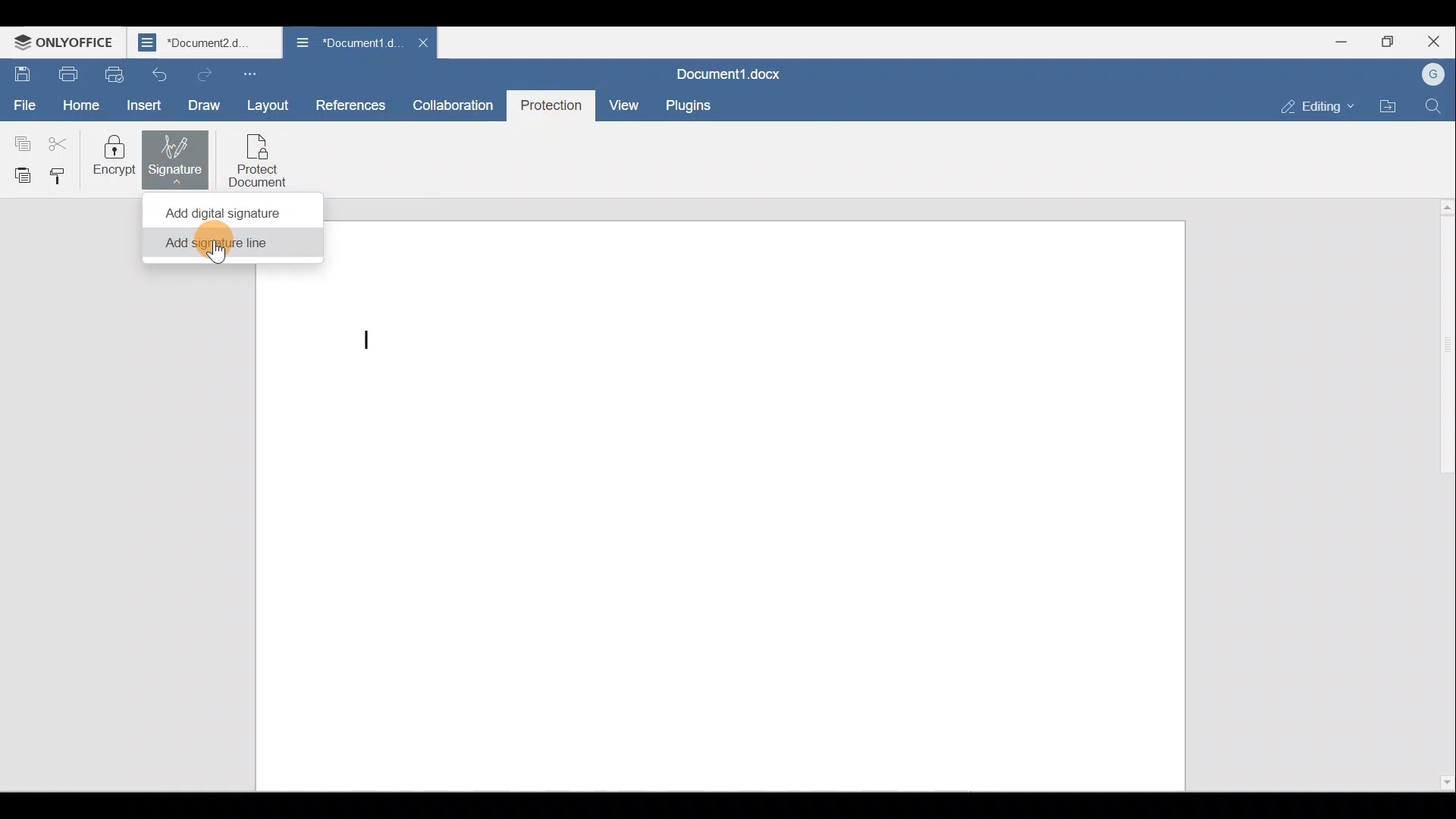  Describe the element at coordinates (425, 42) in the screenshot. I see `Close document` at that location.